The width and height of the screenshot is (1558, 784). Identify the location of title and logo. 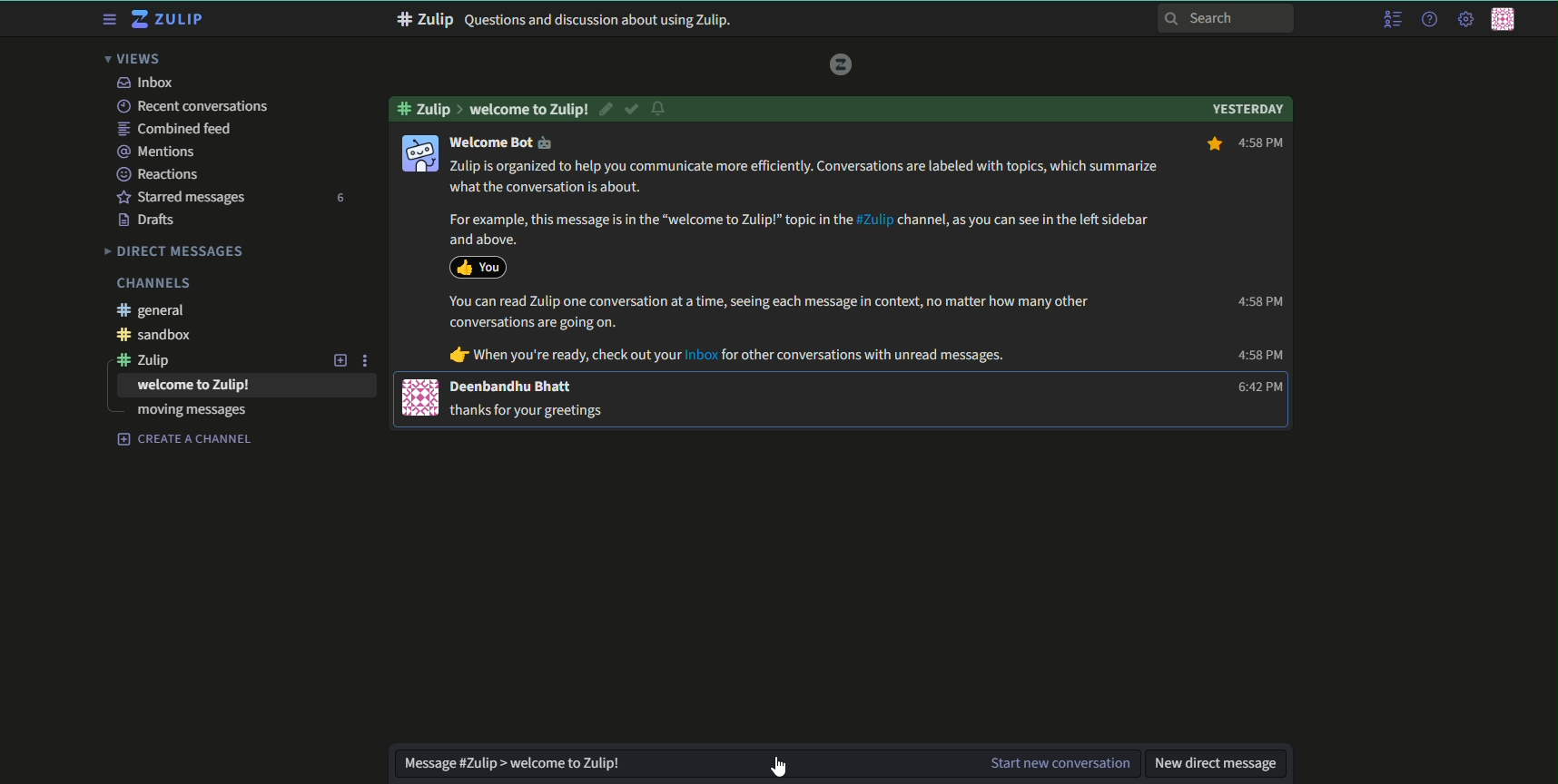
(170, 20).